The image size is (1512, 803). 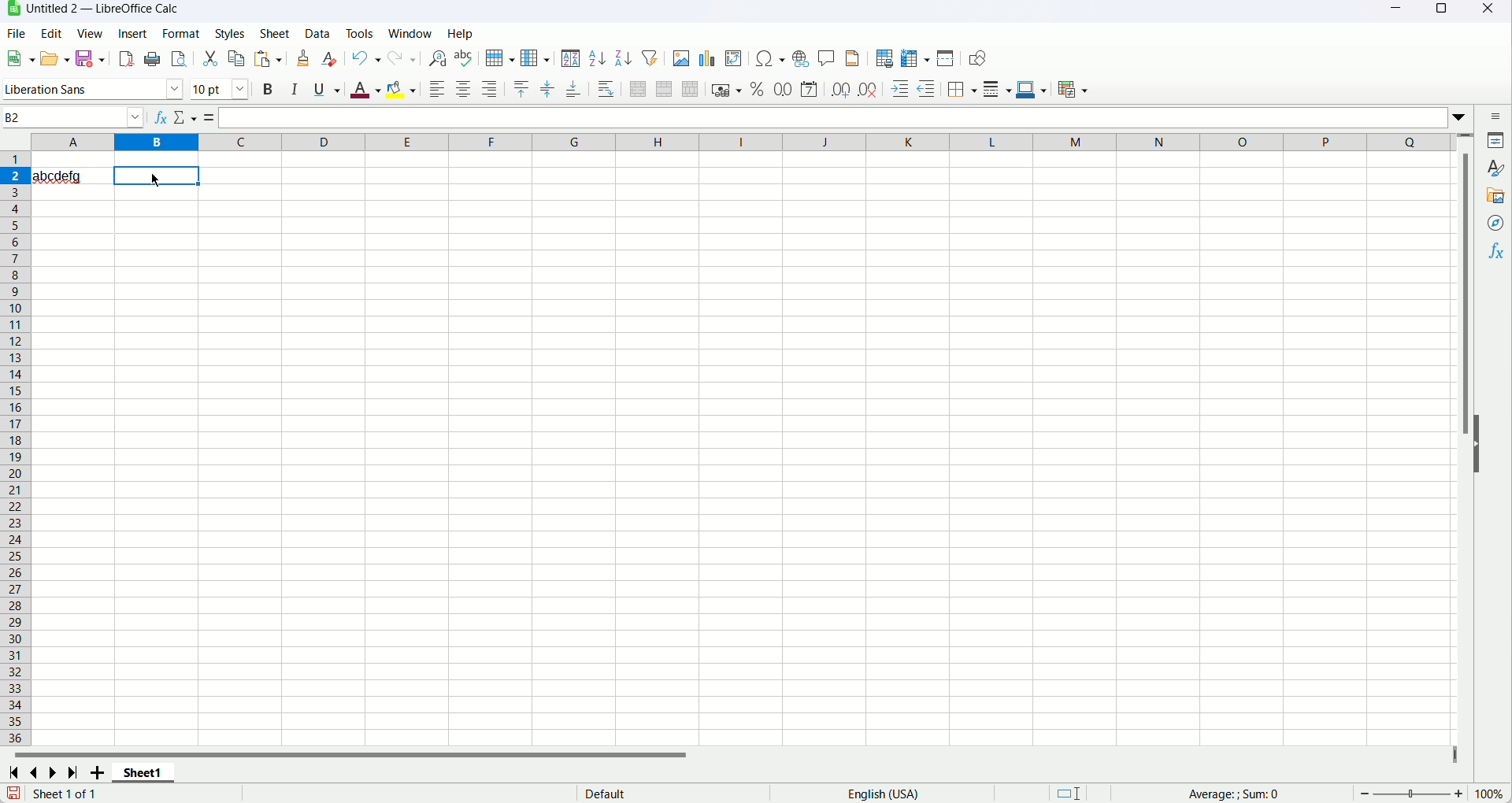 I want to click on format as currency, so click(x=726, y=90).